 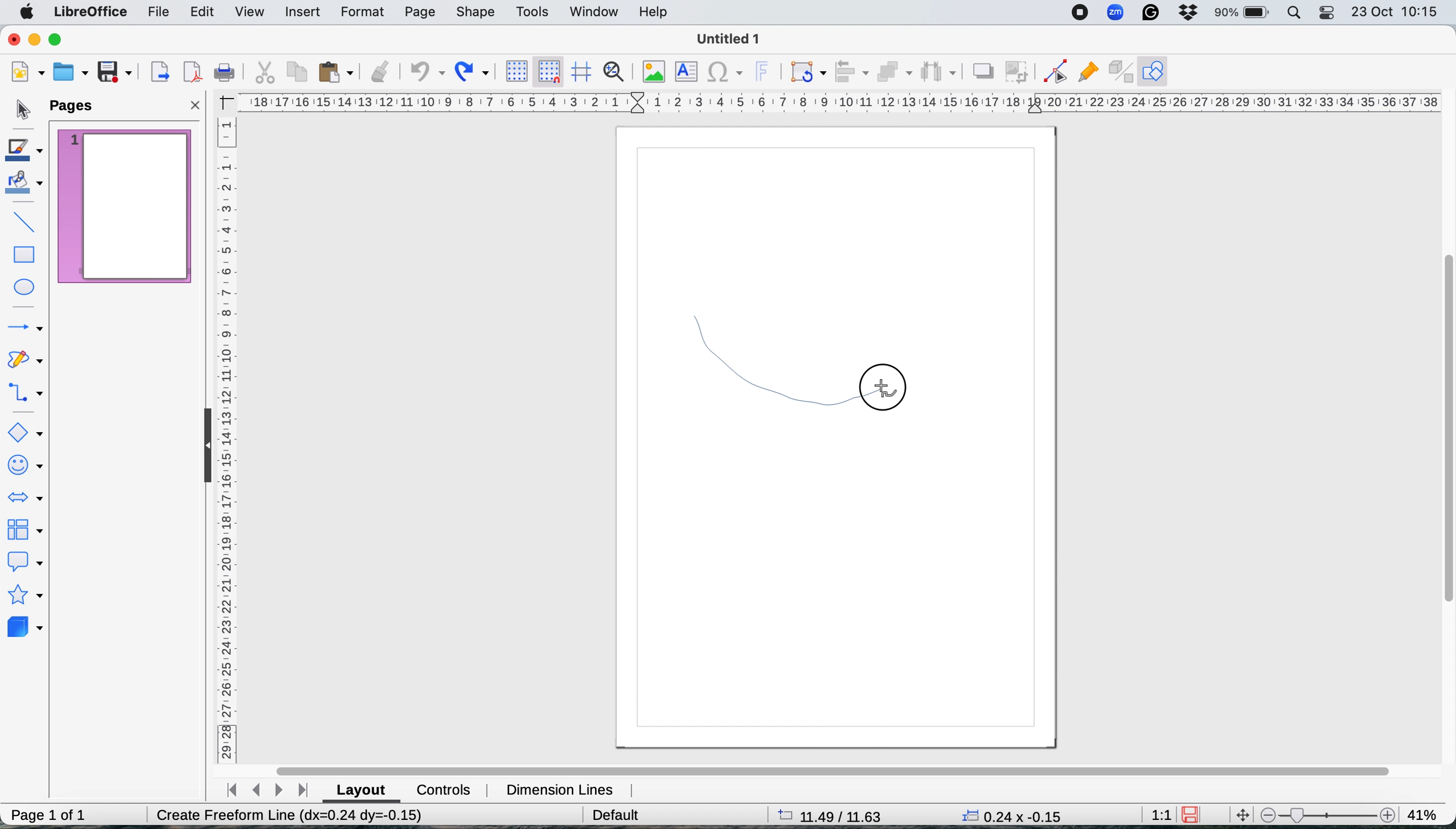 What do you see at coordinates (304, 13) in the screenshot?
I see `insert` at bounding box center [304, 13].